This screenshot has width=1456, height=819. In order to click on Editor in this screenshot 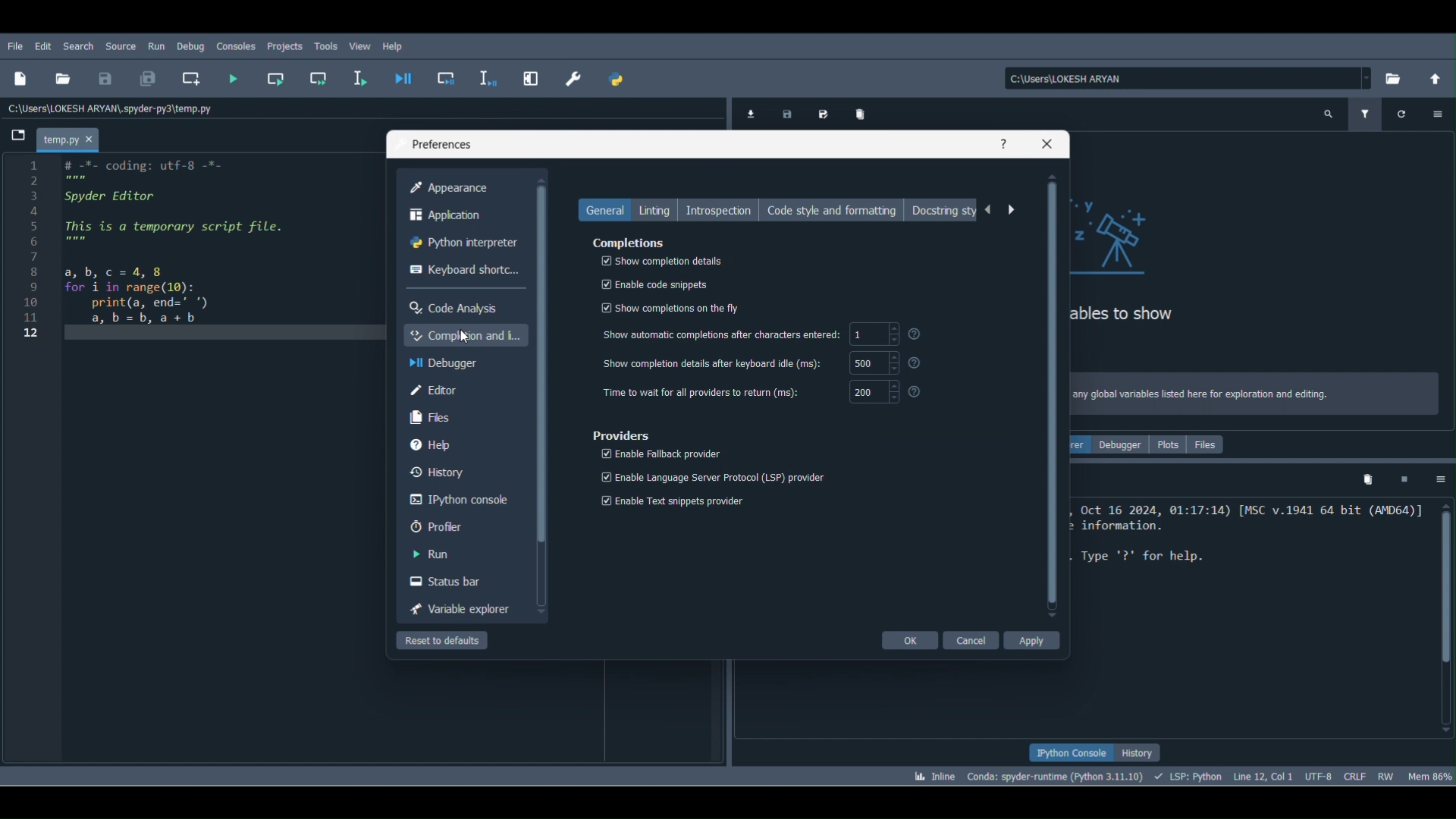, I will do `click(426, 389)`.